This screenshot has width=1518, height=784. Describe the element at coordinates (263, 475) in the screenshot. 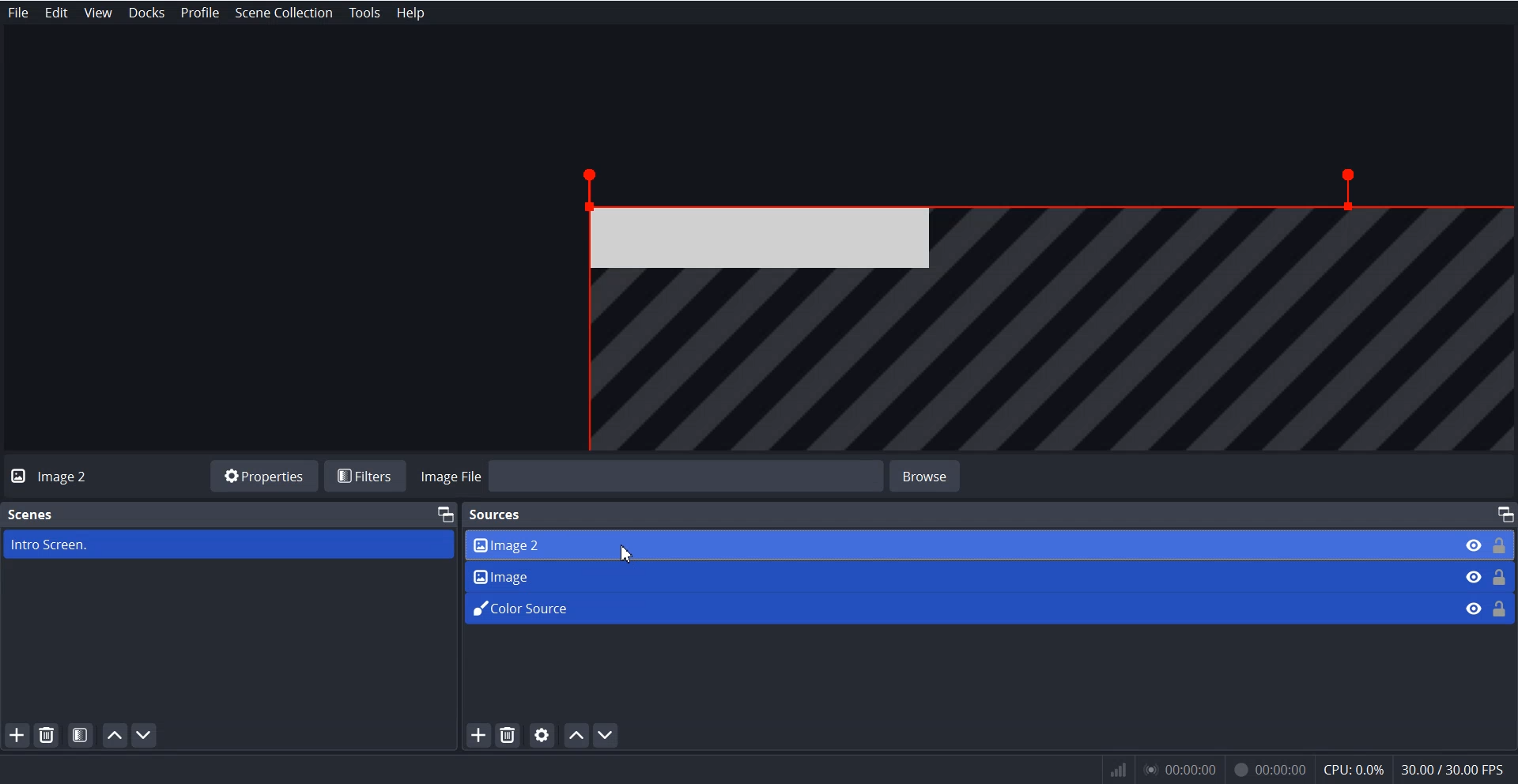

I see `Properties` at that location.